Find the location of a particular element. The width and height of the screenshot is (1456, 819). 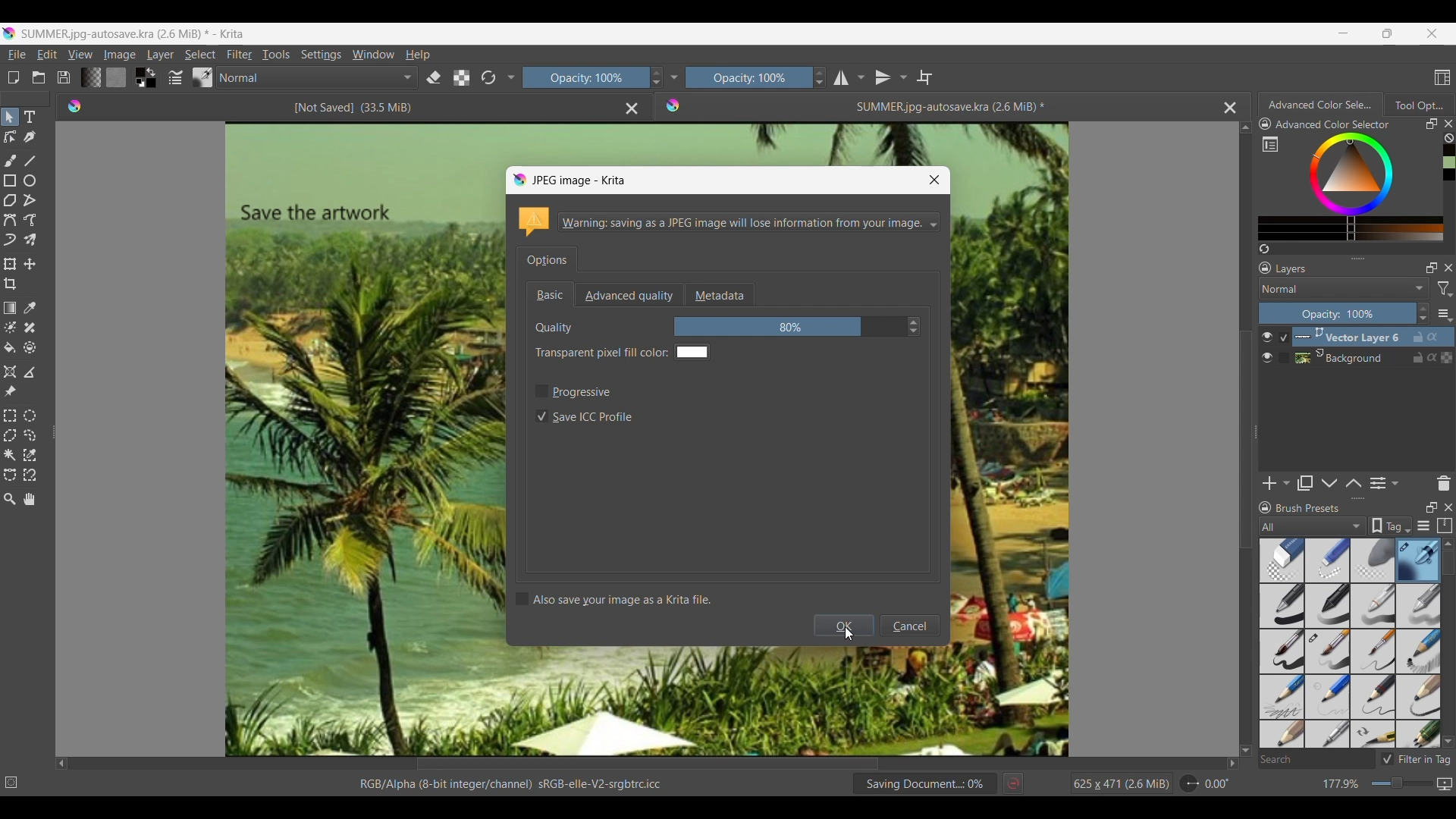

Settings is located at coordinates (321, 54).